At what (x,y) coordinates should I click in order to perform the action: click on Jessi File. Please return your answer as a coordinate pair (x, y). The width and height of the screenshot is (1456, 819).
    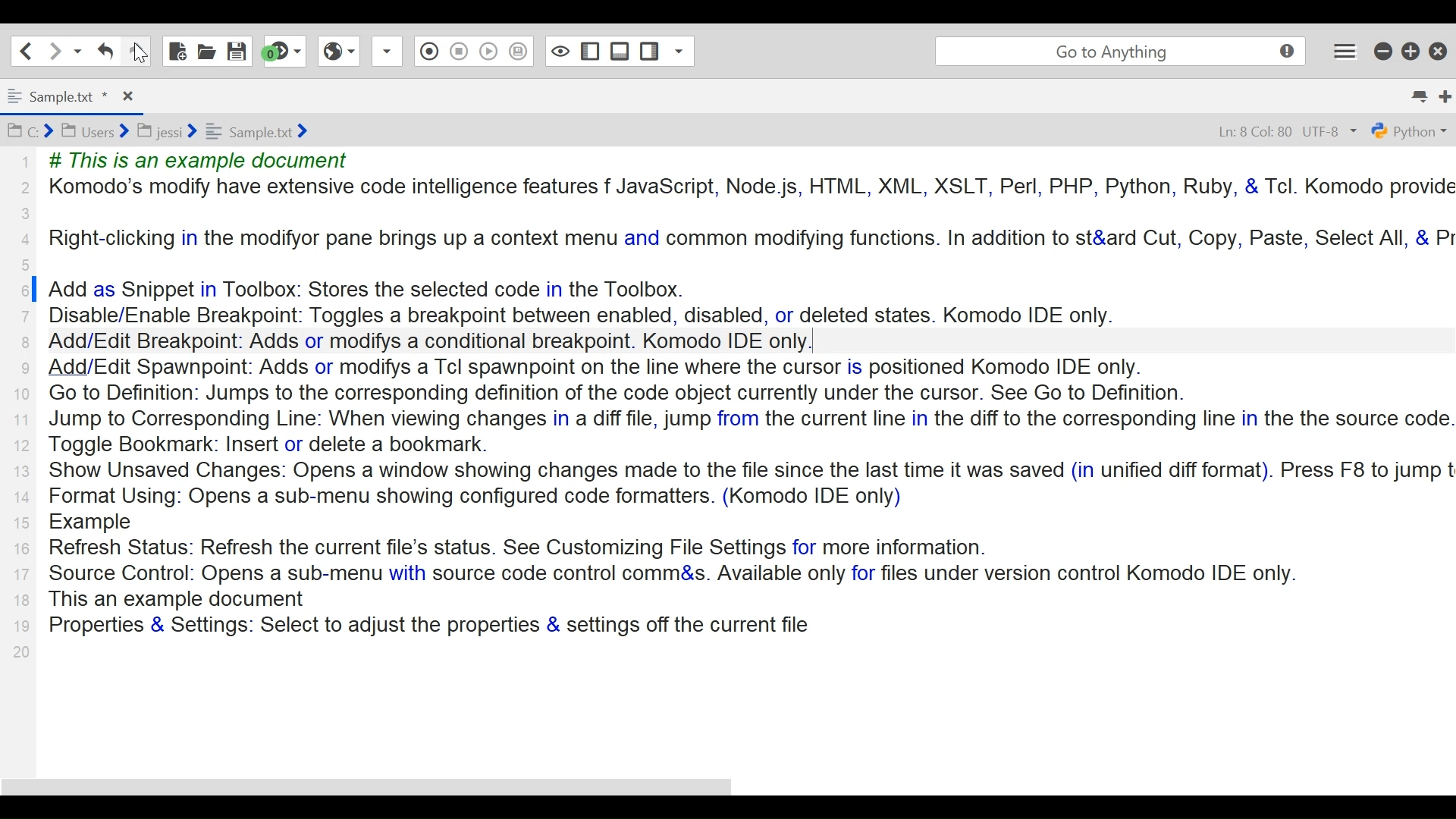
    Looking at the image, I should click on (168, 131).